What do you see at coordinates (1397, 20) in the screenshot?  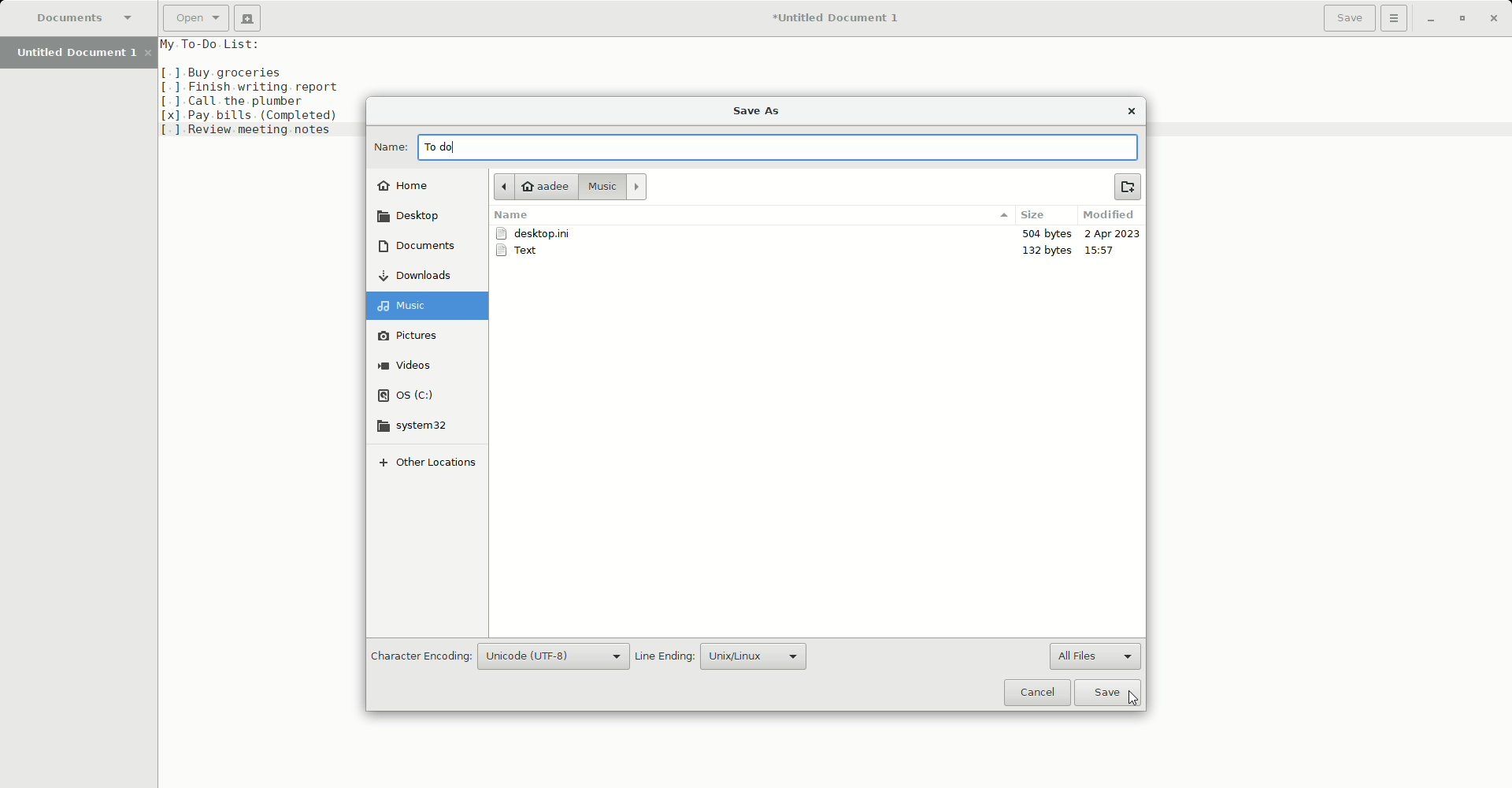 I see `Options` at bounding box center [1397, 20].